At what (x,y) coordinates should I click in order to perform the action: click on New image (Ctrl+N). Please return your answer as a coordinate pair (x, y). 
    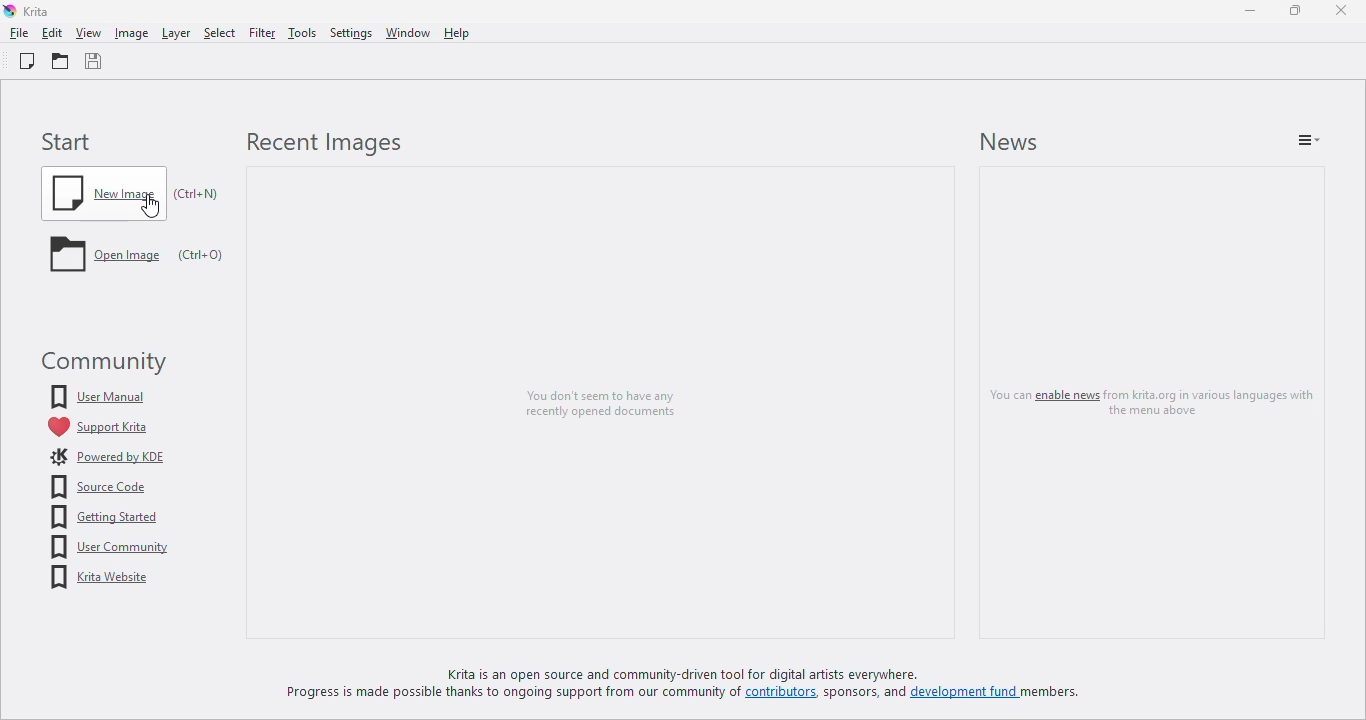
    Looking at the image, I should click on (137, 192).